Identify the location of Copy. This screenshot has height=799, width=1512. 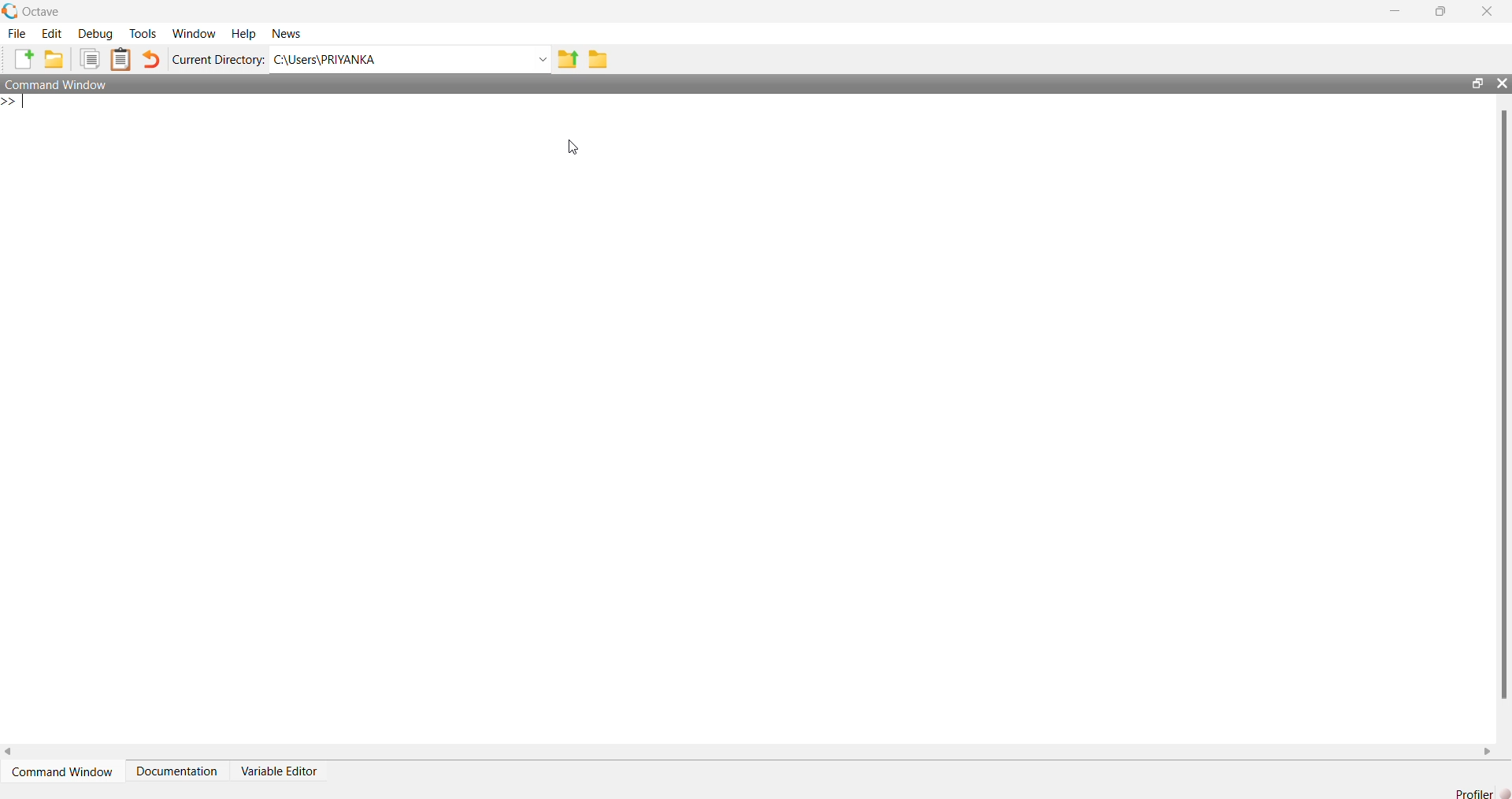
(89, 59).